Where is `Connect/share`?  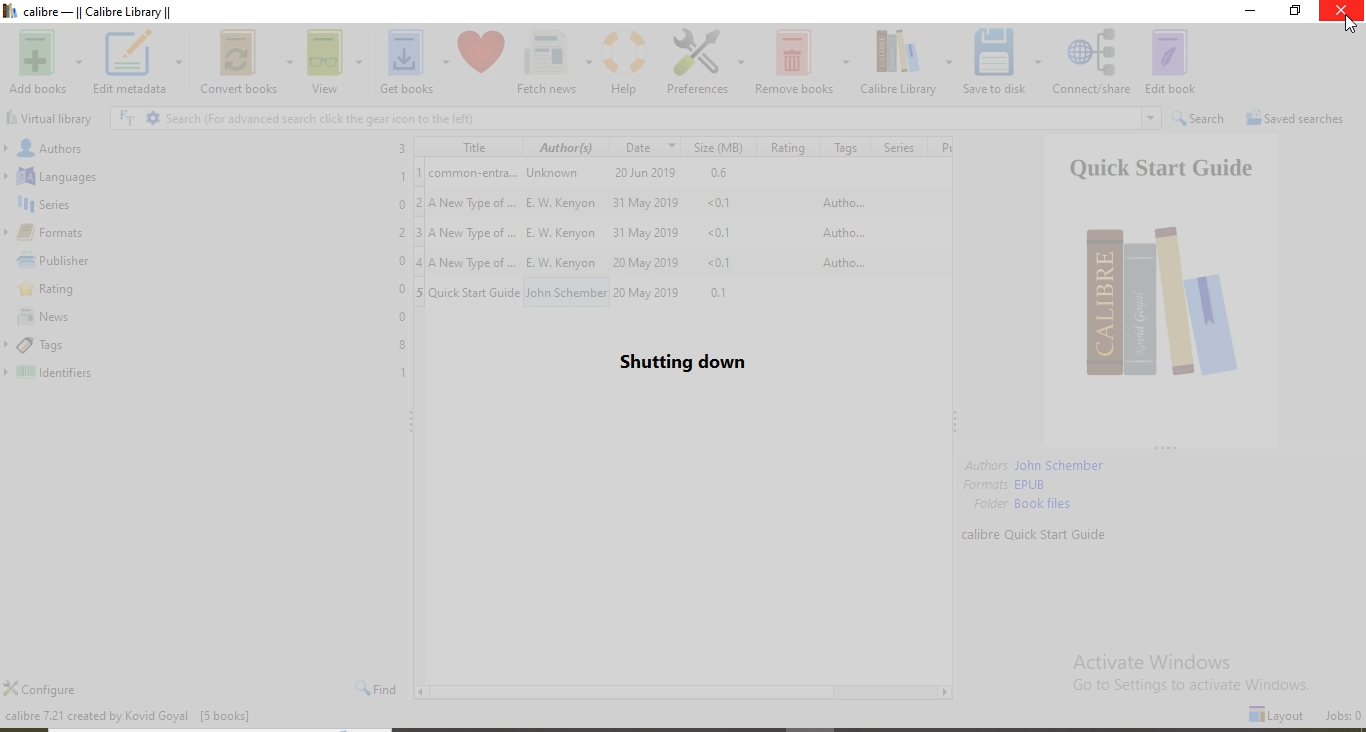 Connect/share is located at coordinates (1092, 63).